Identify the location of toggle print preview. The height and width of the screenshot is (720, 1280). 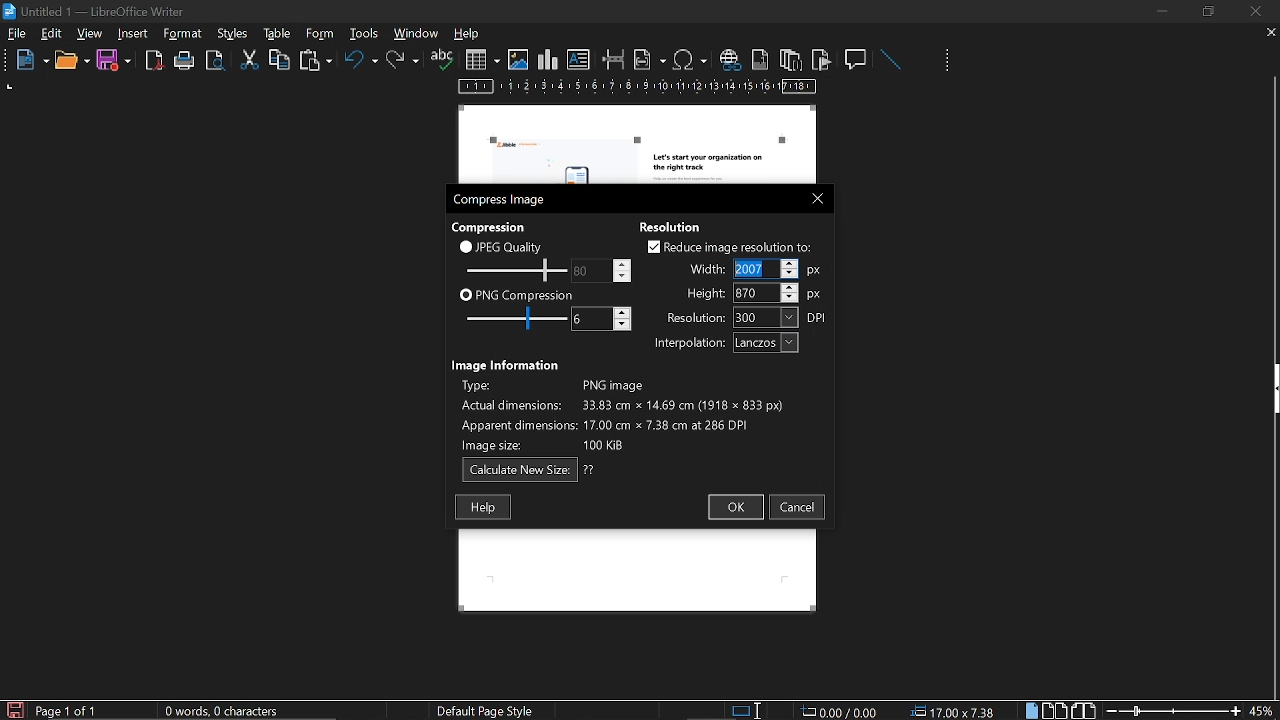
(218, 61).